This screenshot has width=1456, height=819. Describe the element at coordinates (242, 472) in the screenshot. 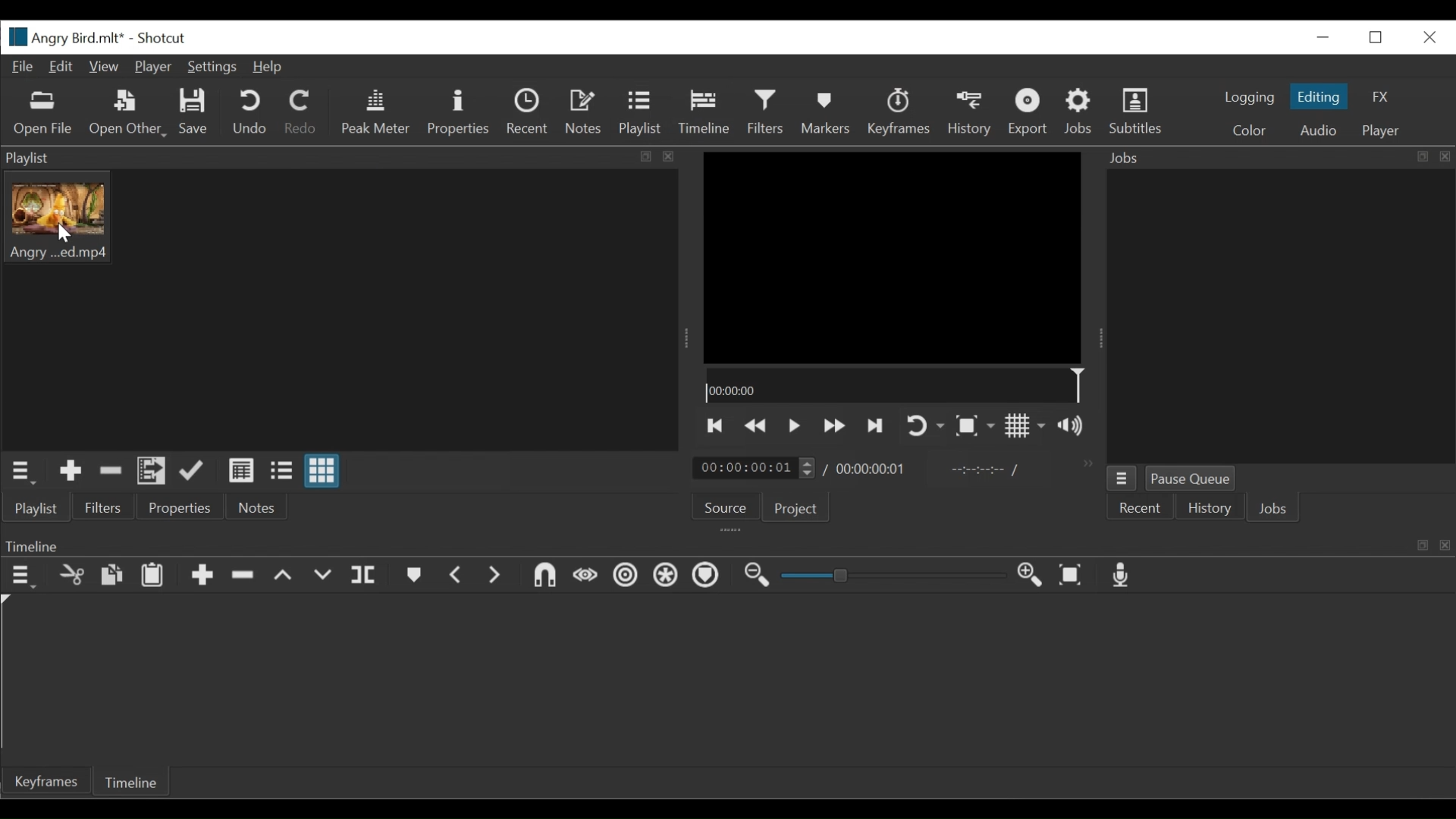

I see `View as detail` at that location.